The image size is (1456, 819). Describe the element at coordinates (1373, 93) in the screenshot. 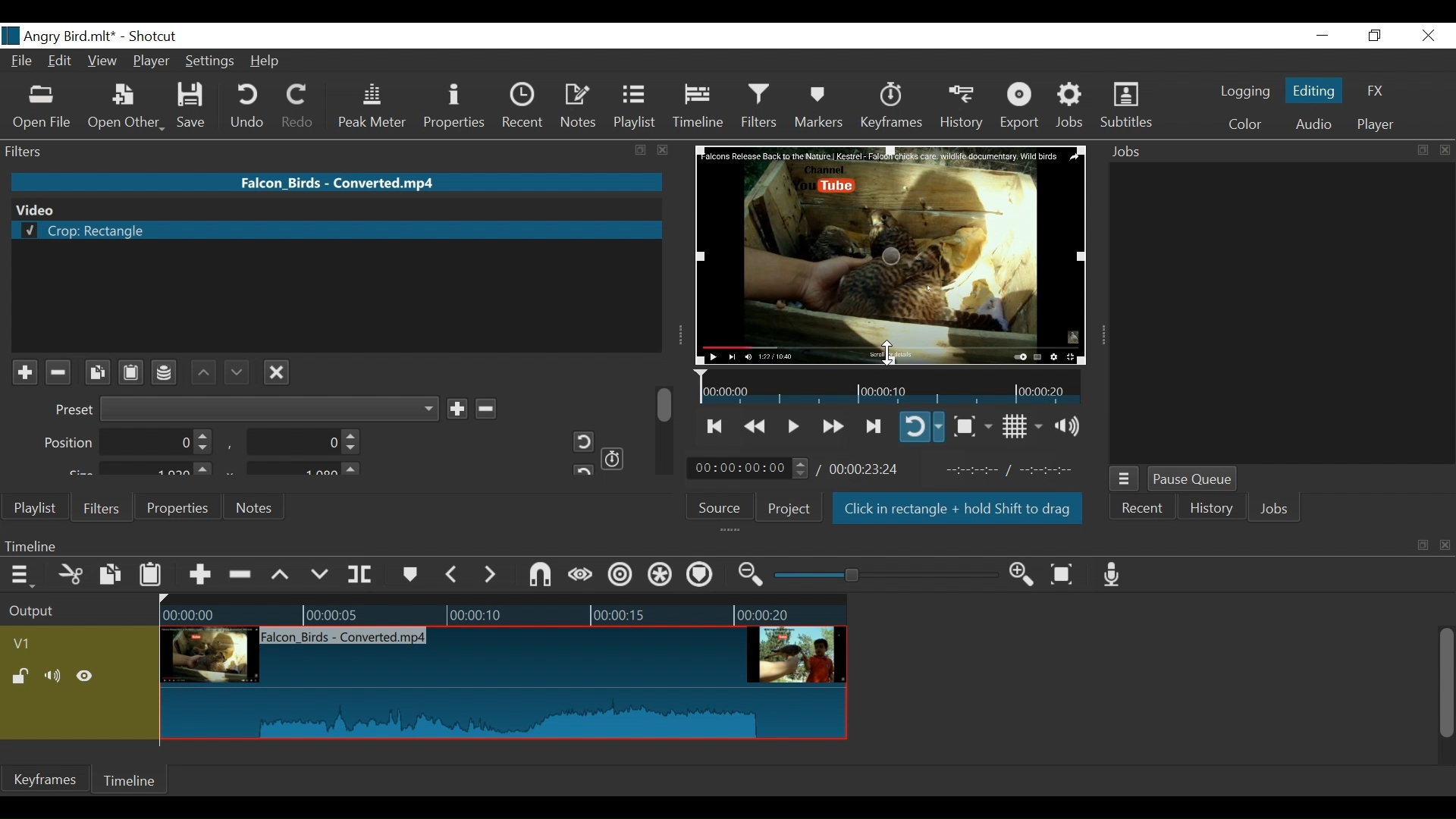

I see `FX` at that location.